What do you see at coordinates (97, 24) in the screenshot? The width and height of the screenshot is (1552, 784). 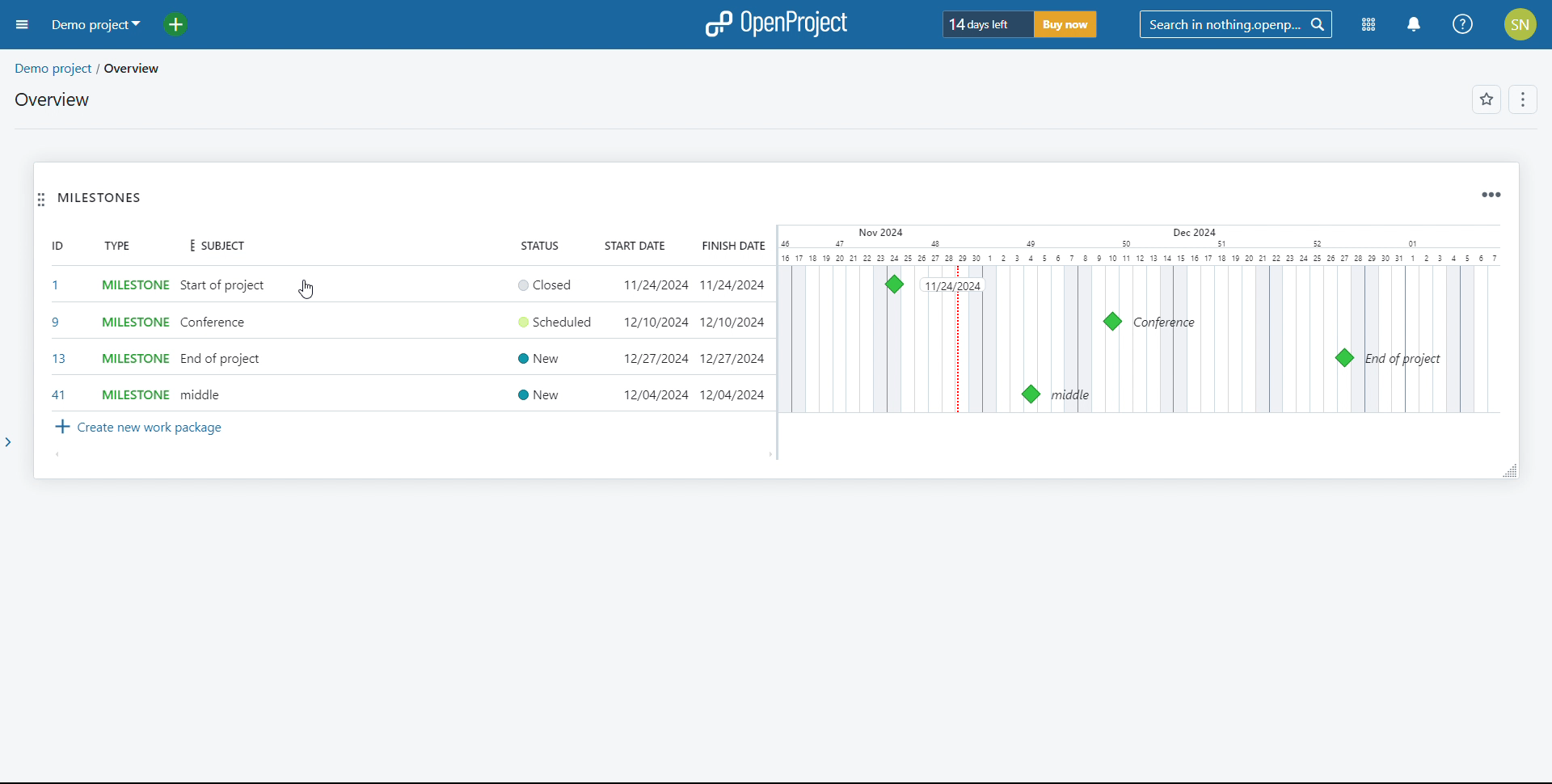 I see `demo project` at bounding box center [97, 24].